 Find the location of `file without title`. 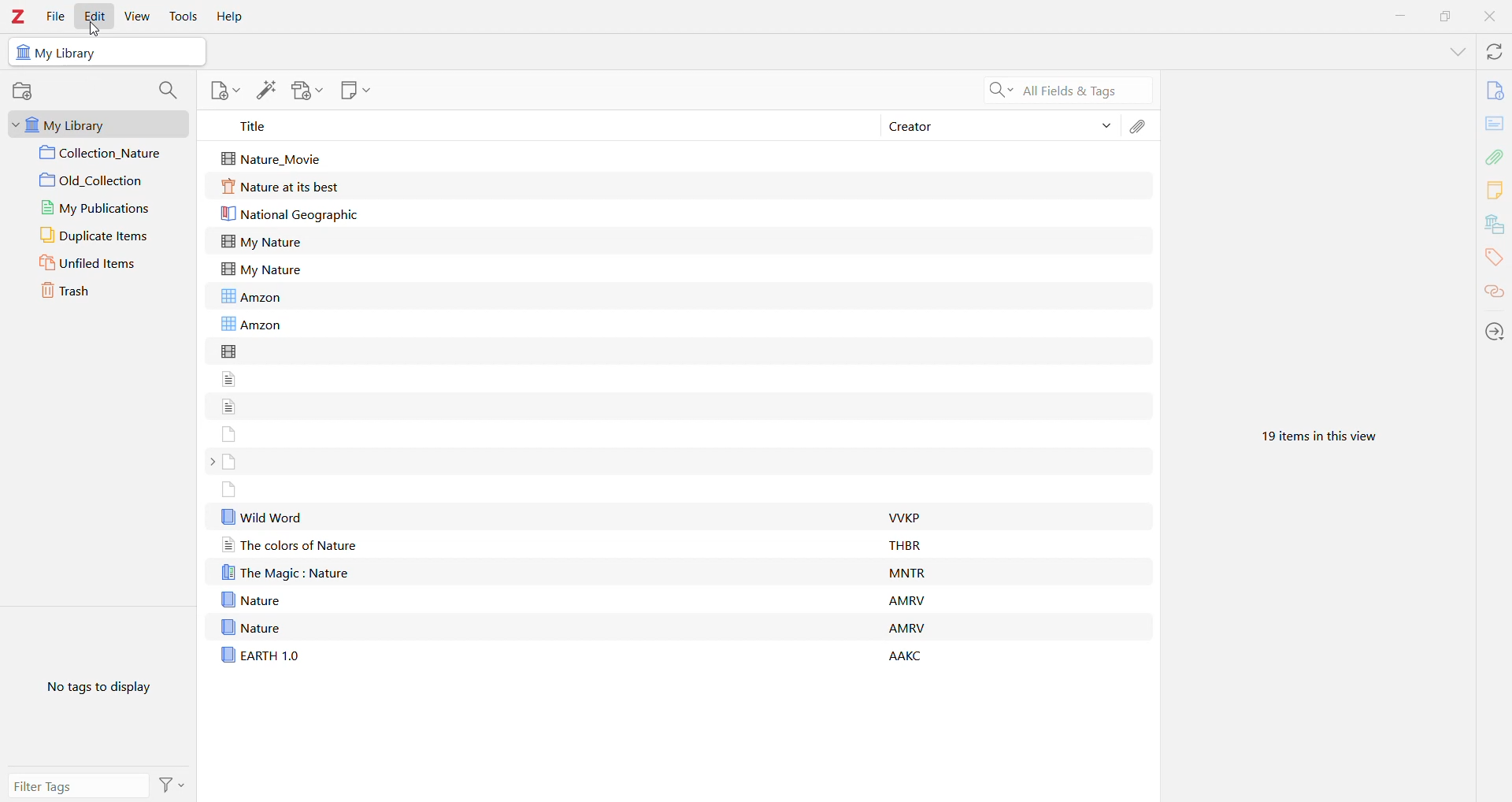

file without title is located at coordinates (231, 351).